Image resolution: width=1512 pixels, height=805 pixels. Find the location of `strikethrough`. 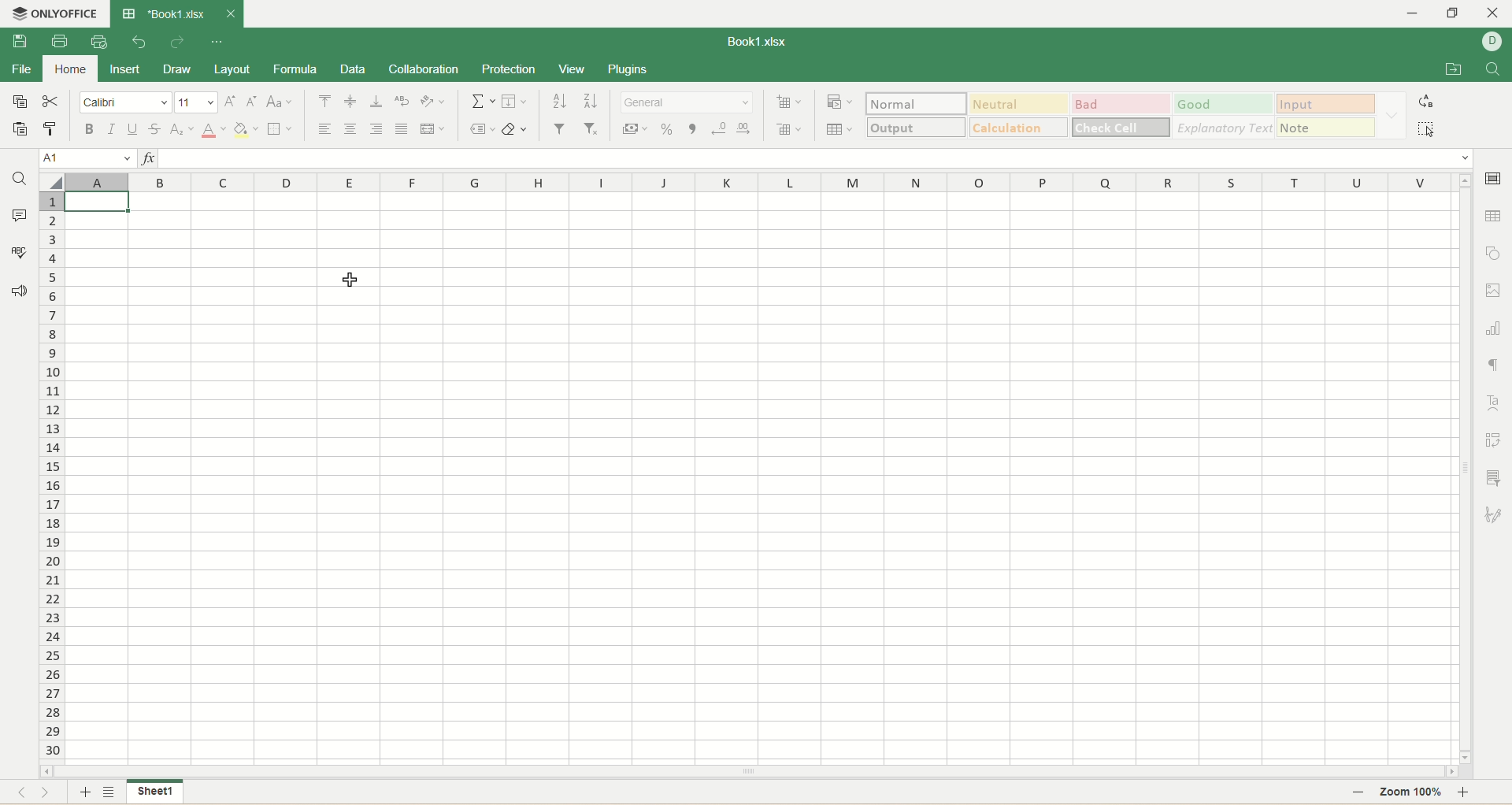

strikethrough is located at coordinates (156, 130).